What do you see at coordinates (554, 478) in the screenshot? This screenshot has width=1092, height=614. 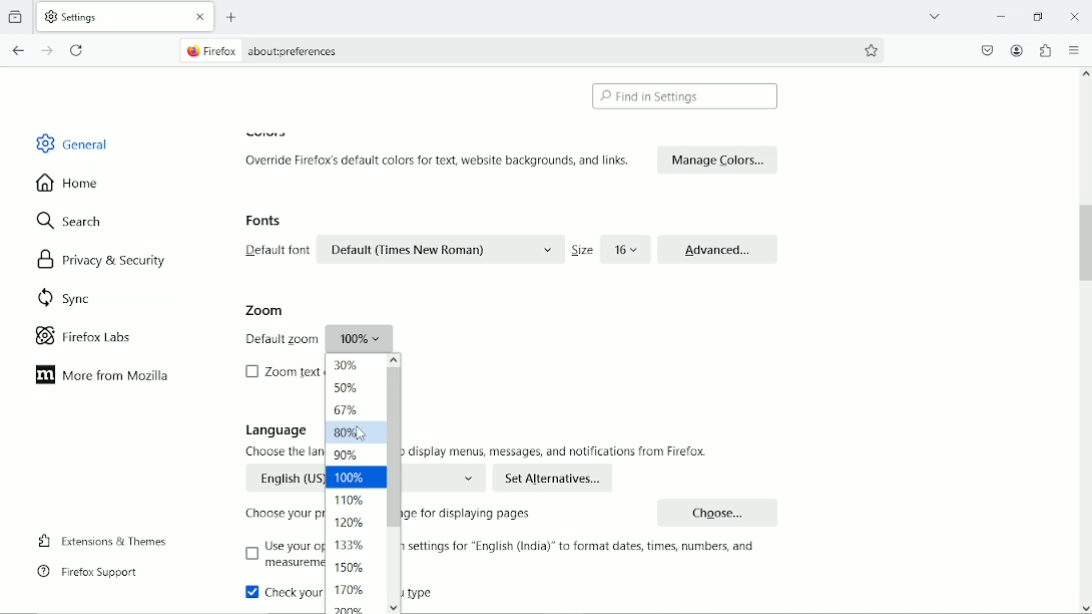 I see `Set Alternatives...` at bounding box center [554, 478].